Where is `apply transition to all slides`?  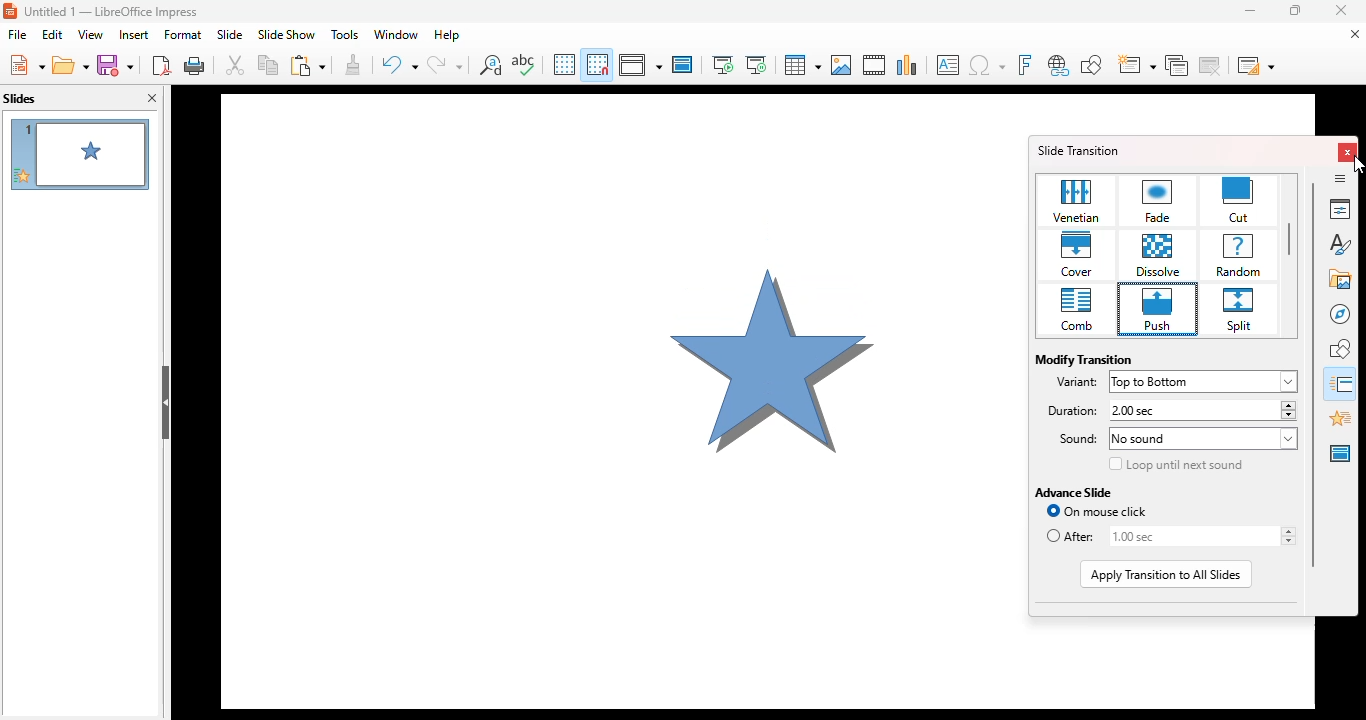 apply transition to all slides is located at coordinates (1166, 575).